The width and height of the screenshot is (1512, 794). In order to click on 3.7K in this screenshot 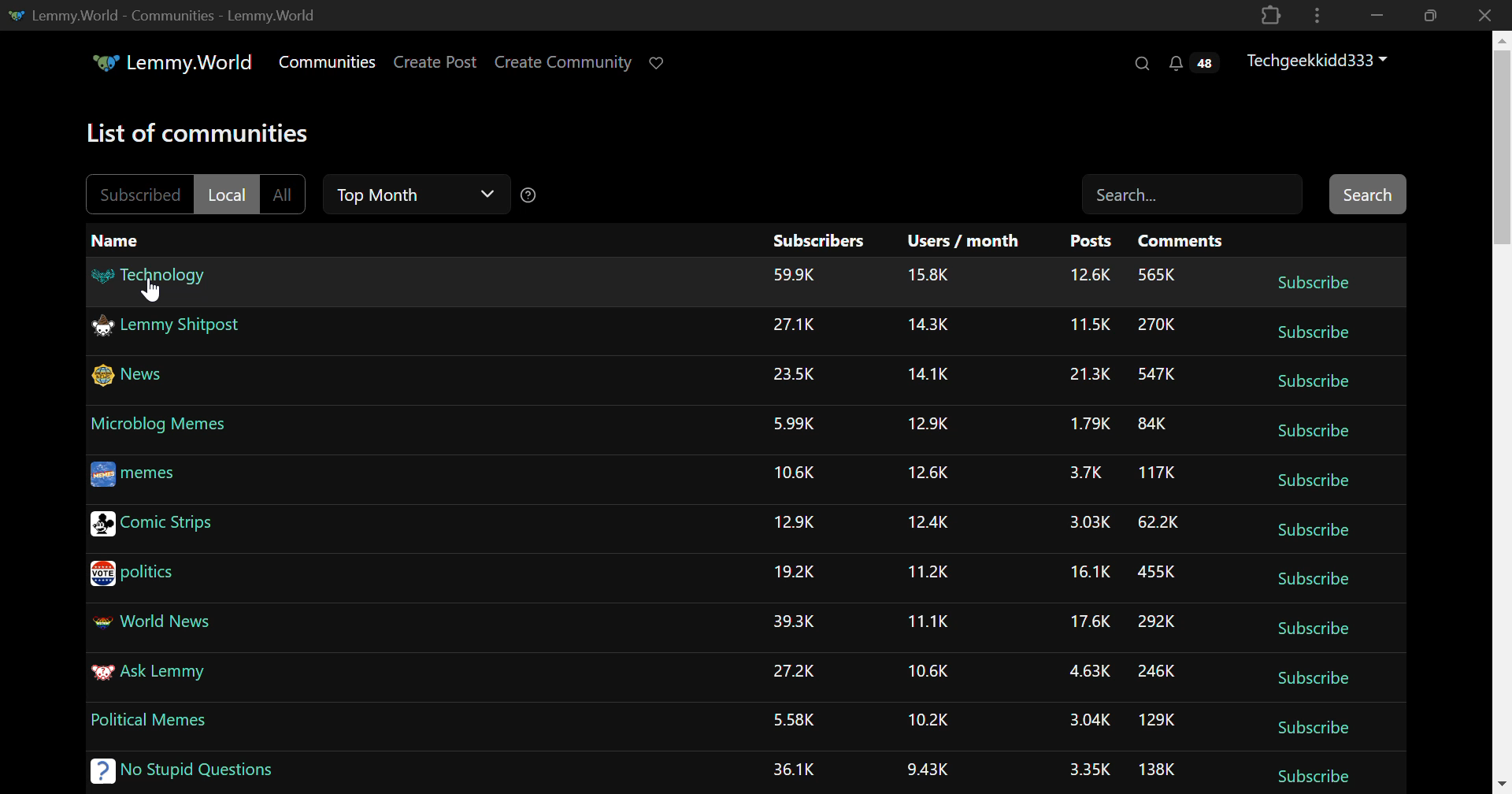, I will do `click(1080, 473)`.